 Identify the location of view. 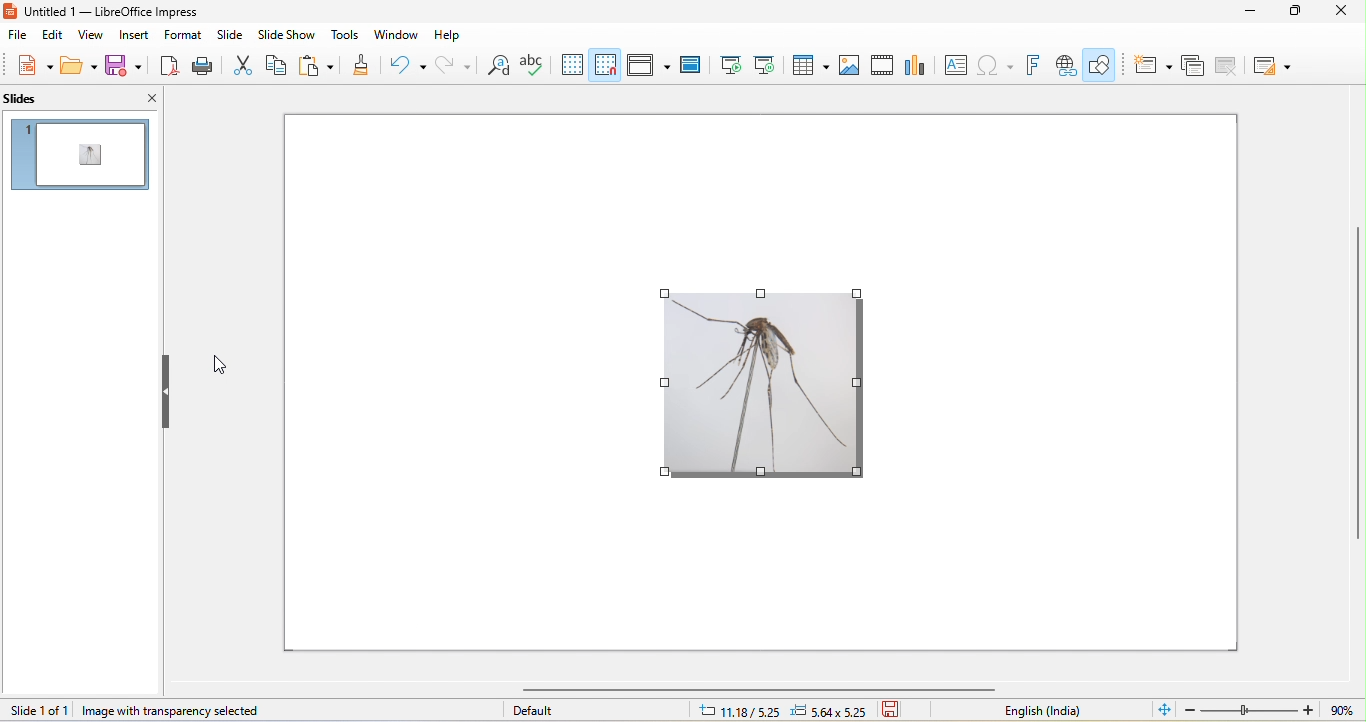
(92, 35).